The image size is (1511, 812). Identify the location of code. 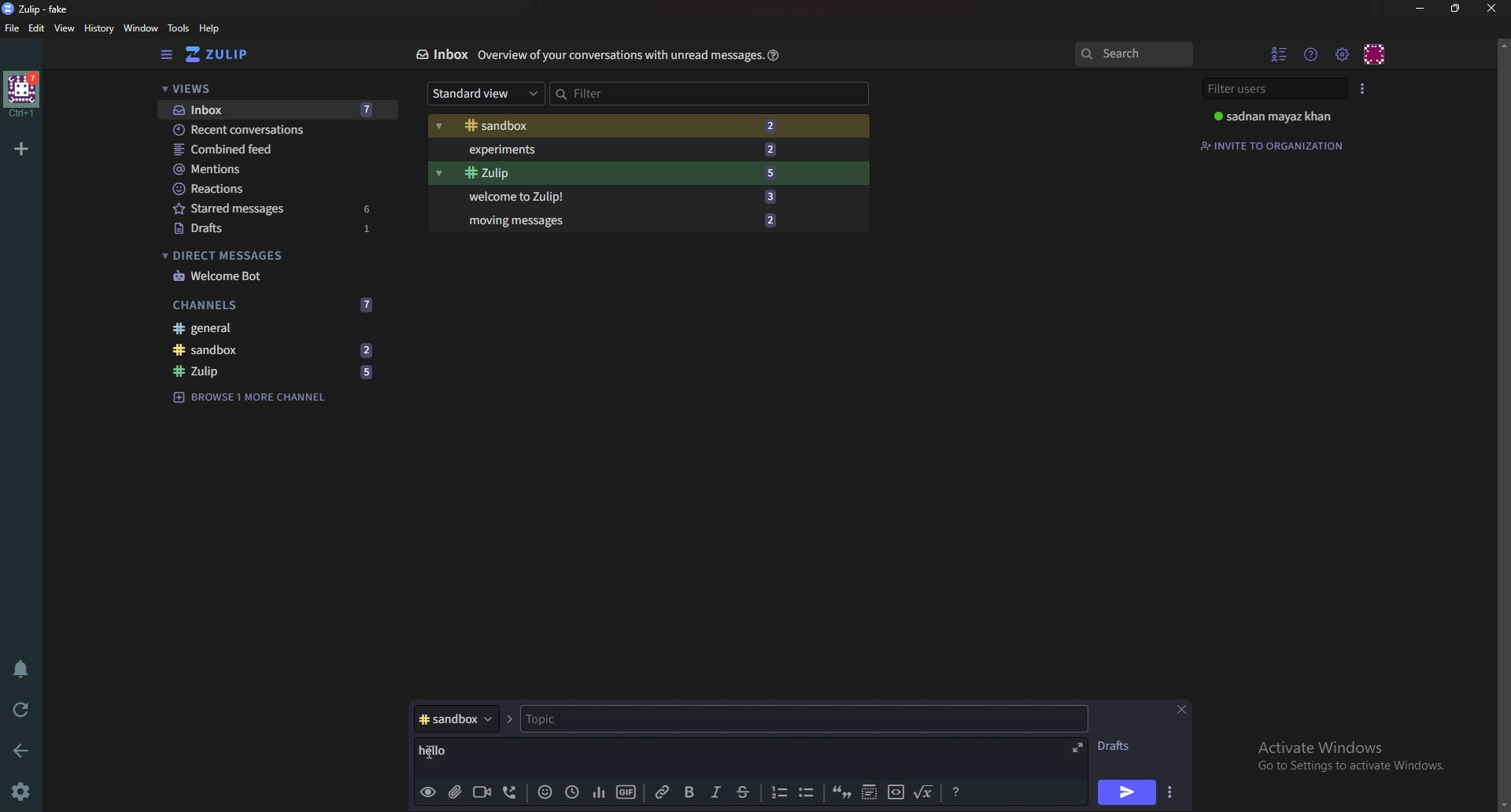
(893, 793).